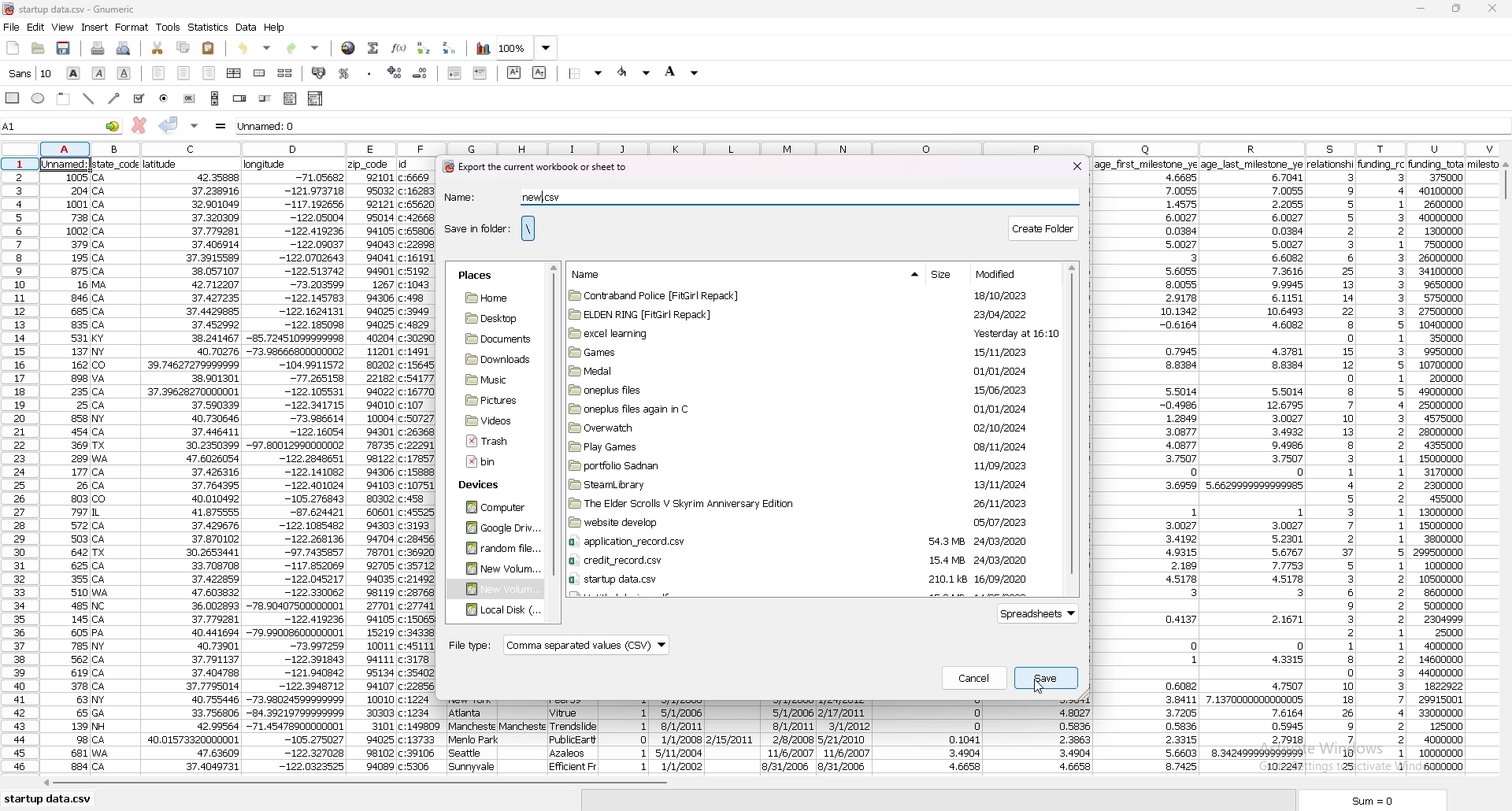 Image resolution: width=1512 pixels, height=811 pixels. What do you see at coordinates (31, 73) in the screenshot?
I see `font` at bounding box center [31, 73].